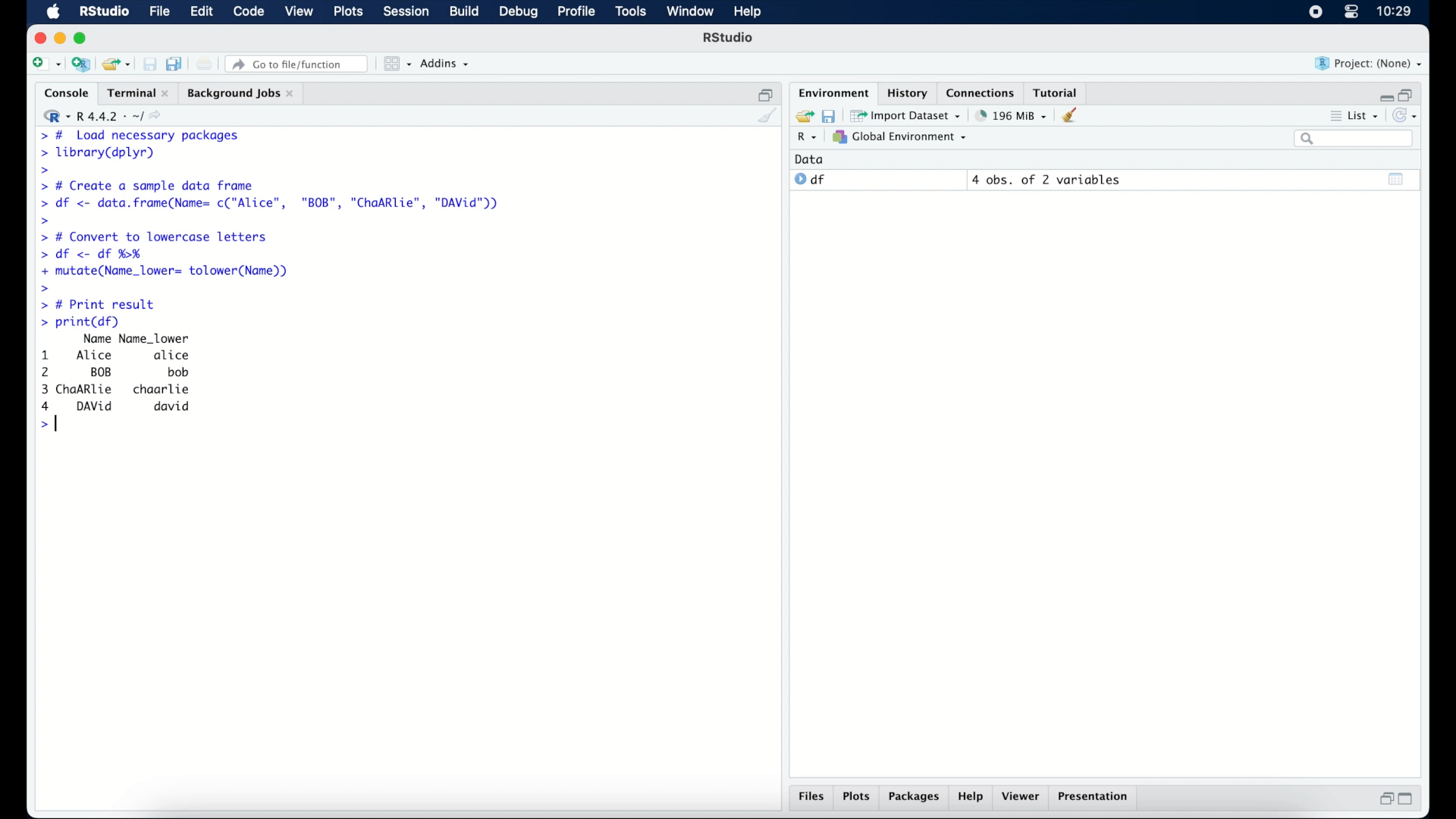  Describe the element at coordinates (200, 12) in the screenshot. I see `edit` at that location.